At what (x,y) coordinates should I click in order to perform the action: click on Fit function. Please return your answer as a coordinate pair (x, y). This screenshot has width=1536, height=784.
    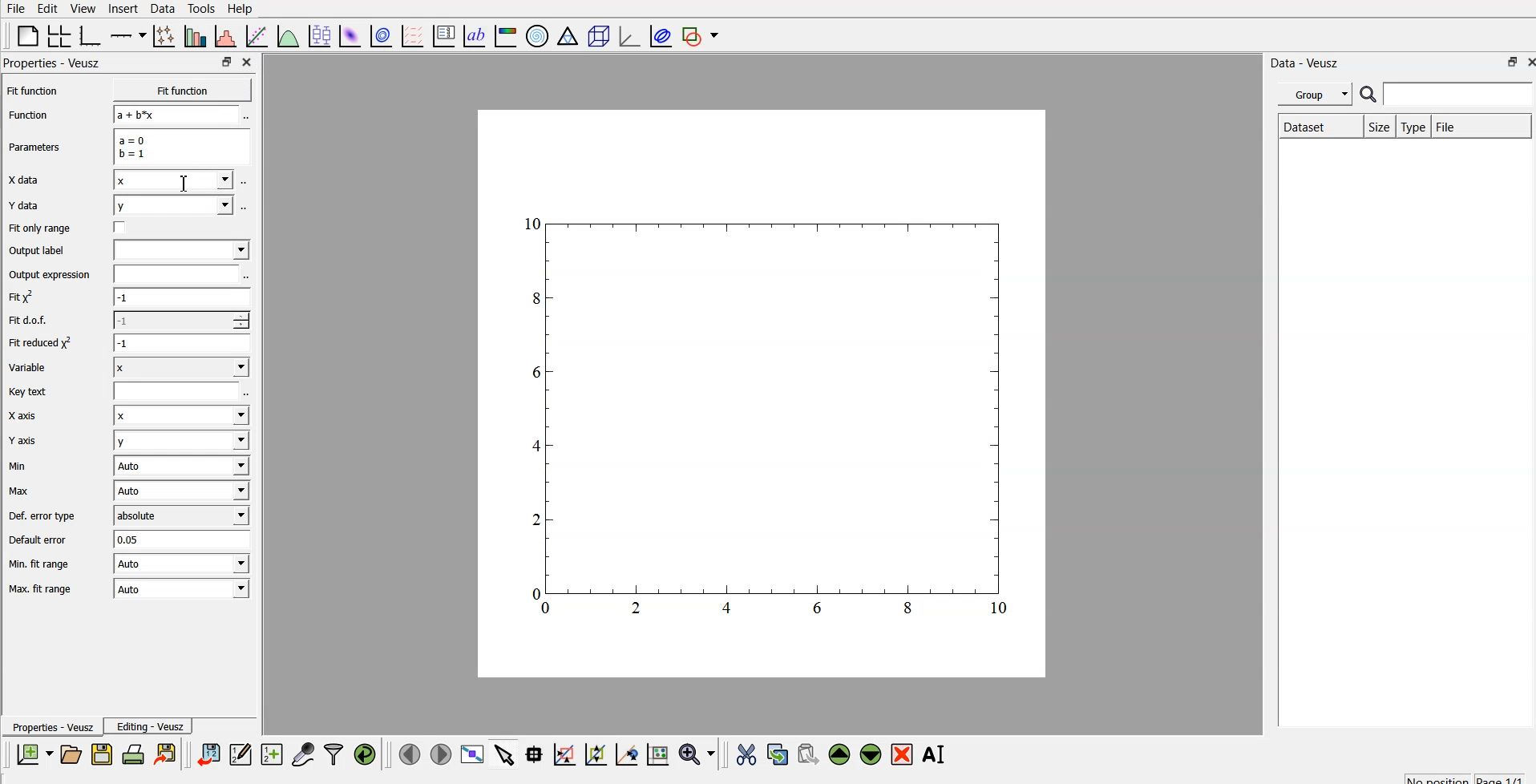
    Looking at the image, I should click on (45, 91).